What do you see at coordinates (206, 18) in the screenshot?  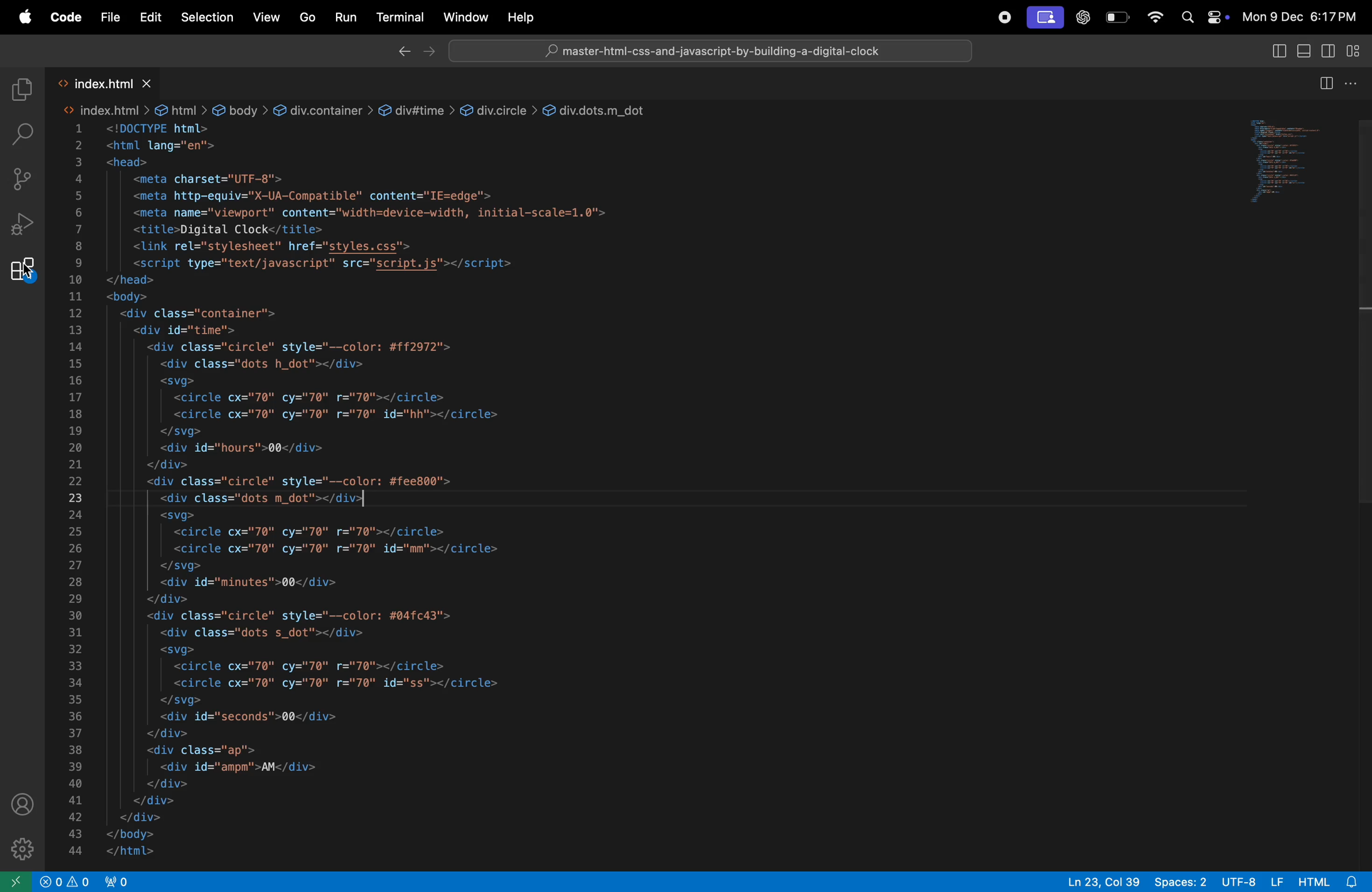 I see `selection` at bounding box center [206, 18].